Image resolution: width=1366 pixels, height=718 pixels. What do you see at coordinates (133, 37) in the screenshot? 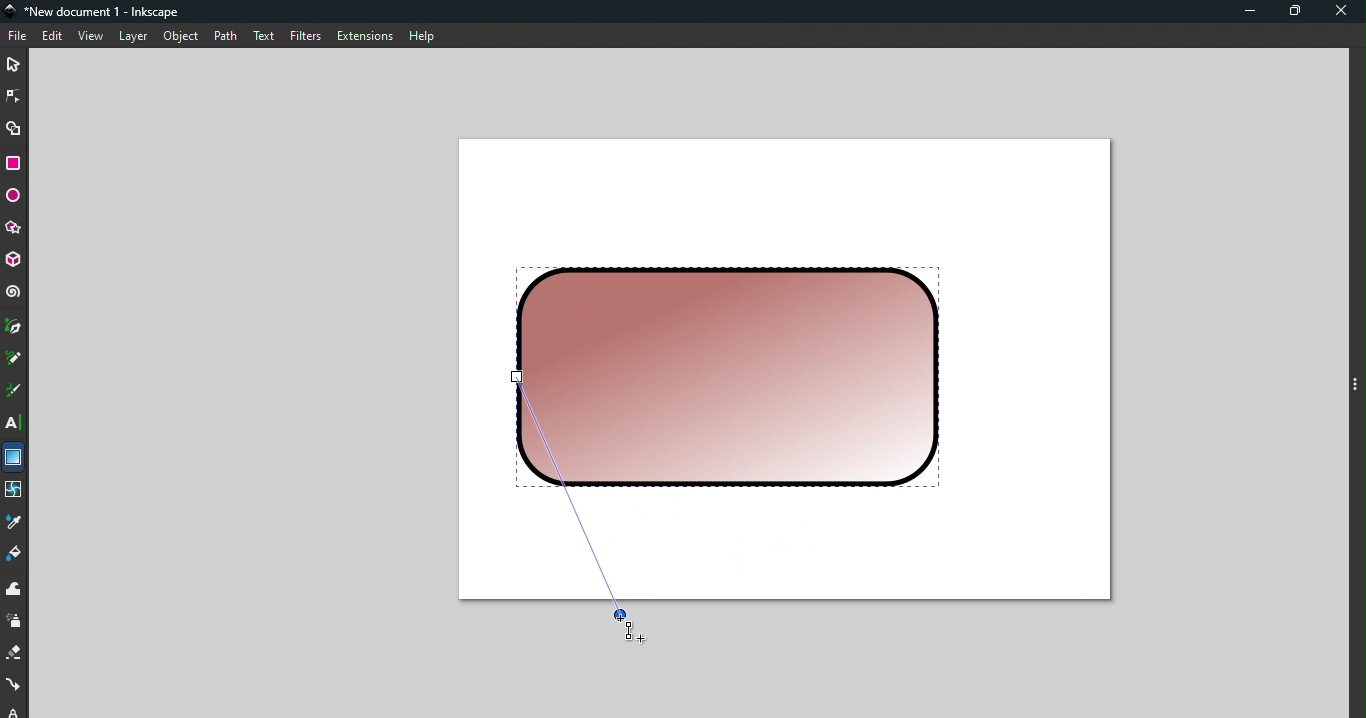
I see `Layer` at bounding box center [133, 37].